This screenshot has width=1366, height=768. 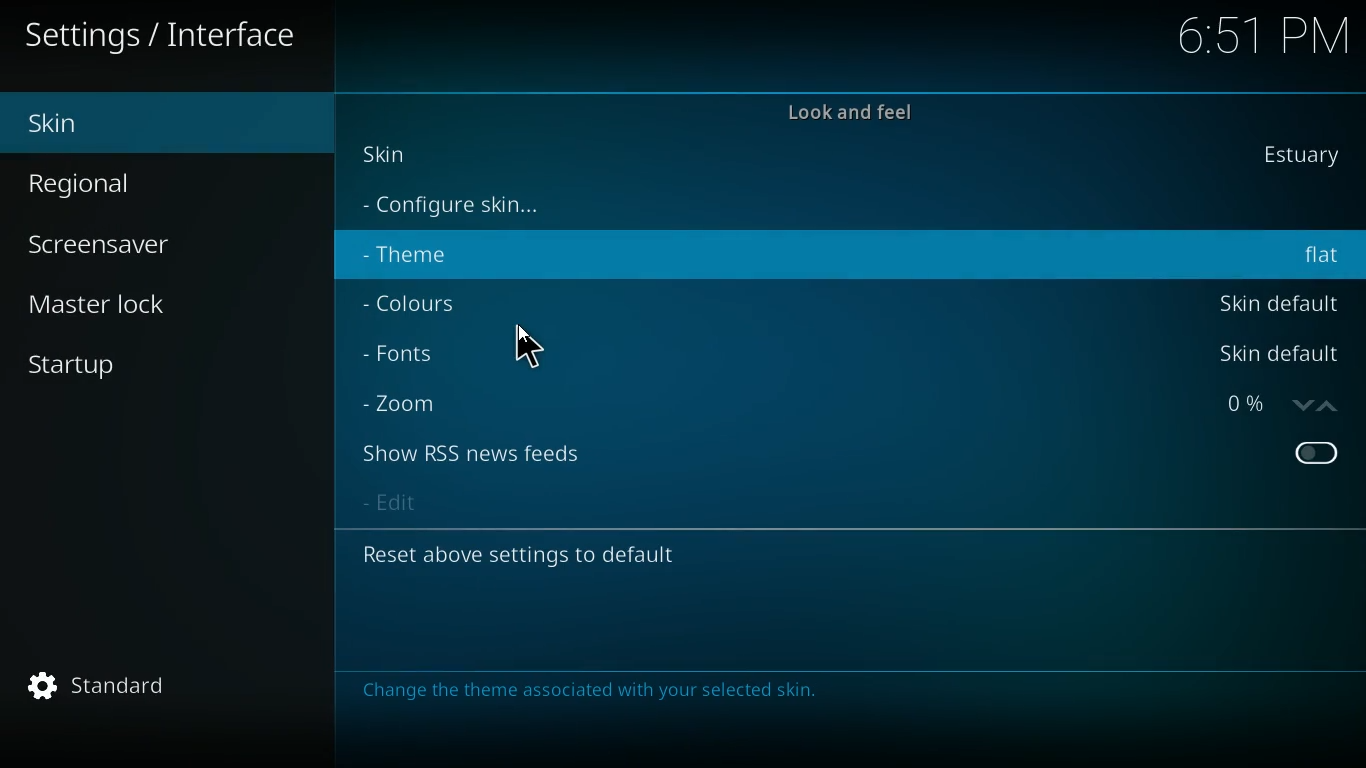 I want to click on show rss, so click(x=490, y=454).